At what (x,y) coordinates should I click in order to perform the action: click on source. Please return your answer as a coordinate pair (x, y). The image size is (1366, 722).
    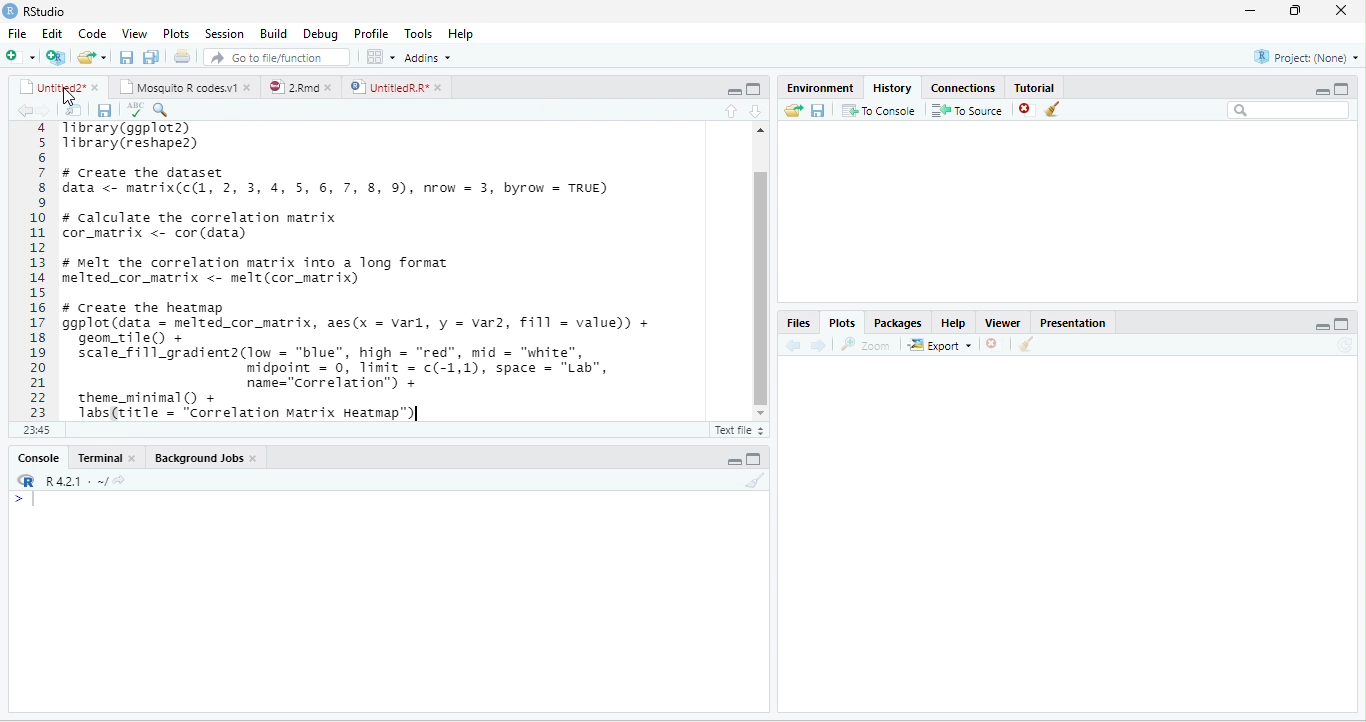
    Looking at the image, I should click on (724, 110).